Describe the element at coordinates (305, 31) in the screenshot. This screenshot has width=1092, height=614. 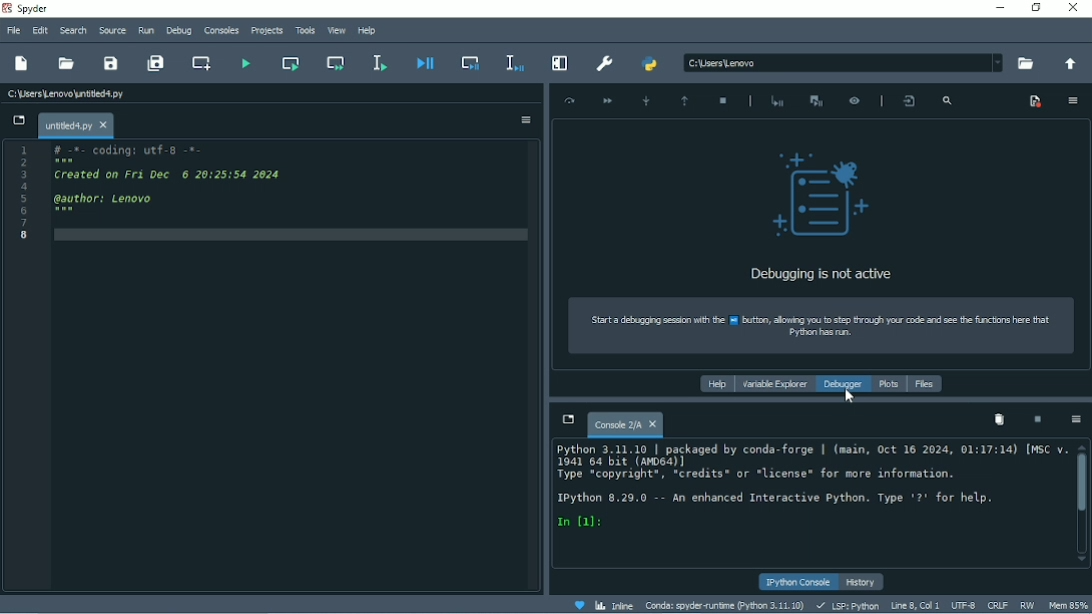
I see `Tools` at that location.